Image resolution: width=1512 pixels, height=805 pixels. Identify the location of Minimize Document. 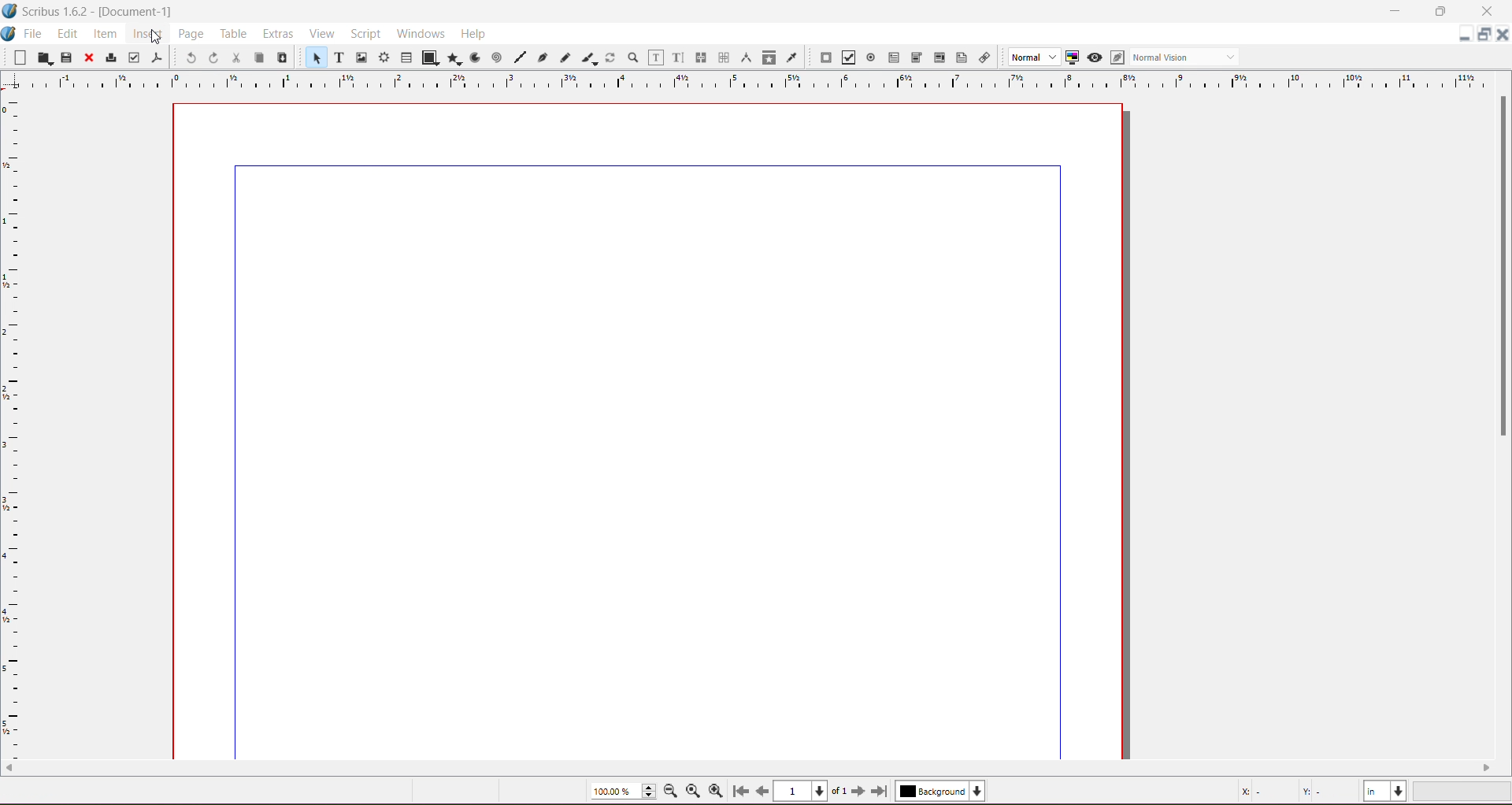
(1465, 34).